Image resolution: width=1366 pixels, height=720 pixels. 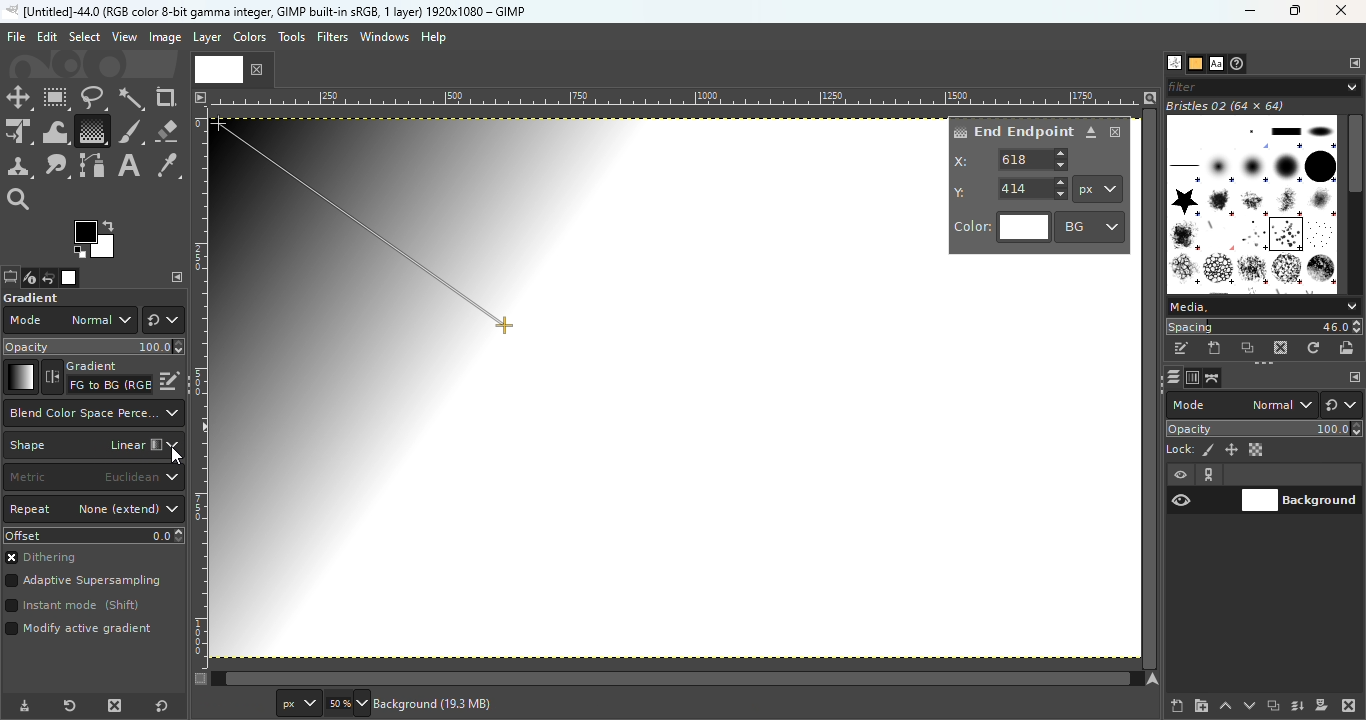 What do you see at coordinates (125, 37) in the screenshot?
I see `View` at bounding box center [125, 37].